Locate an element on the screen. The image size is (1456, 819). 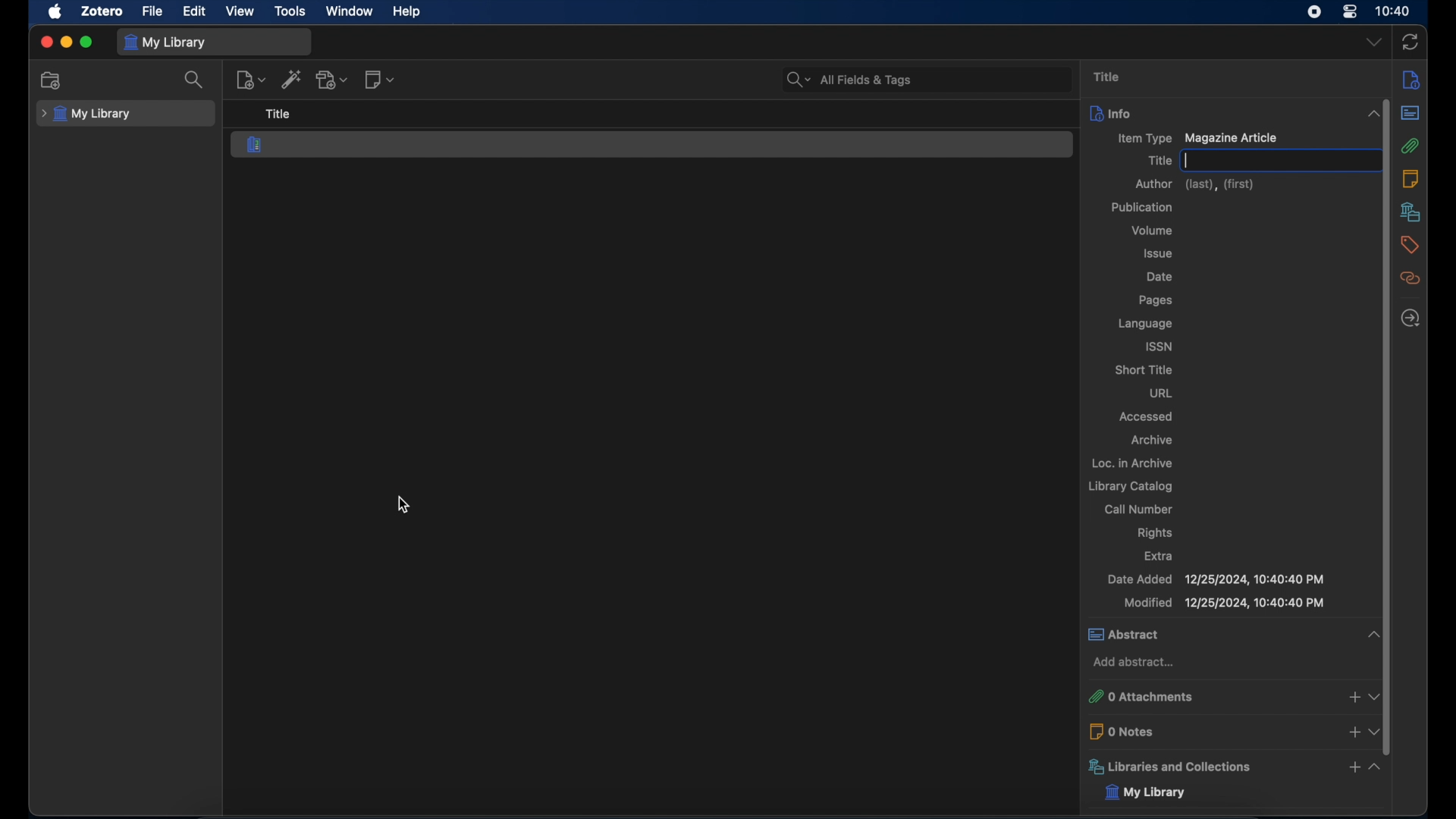
info is located at coordinates (1412, 81).